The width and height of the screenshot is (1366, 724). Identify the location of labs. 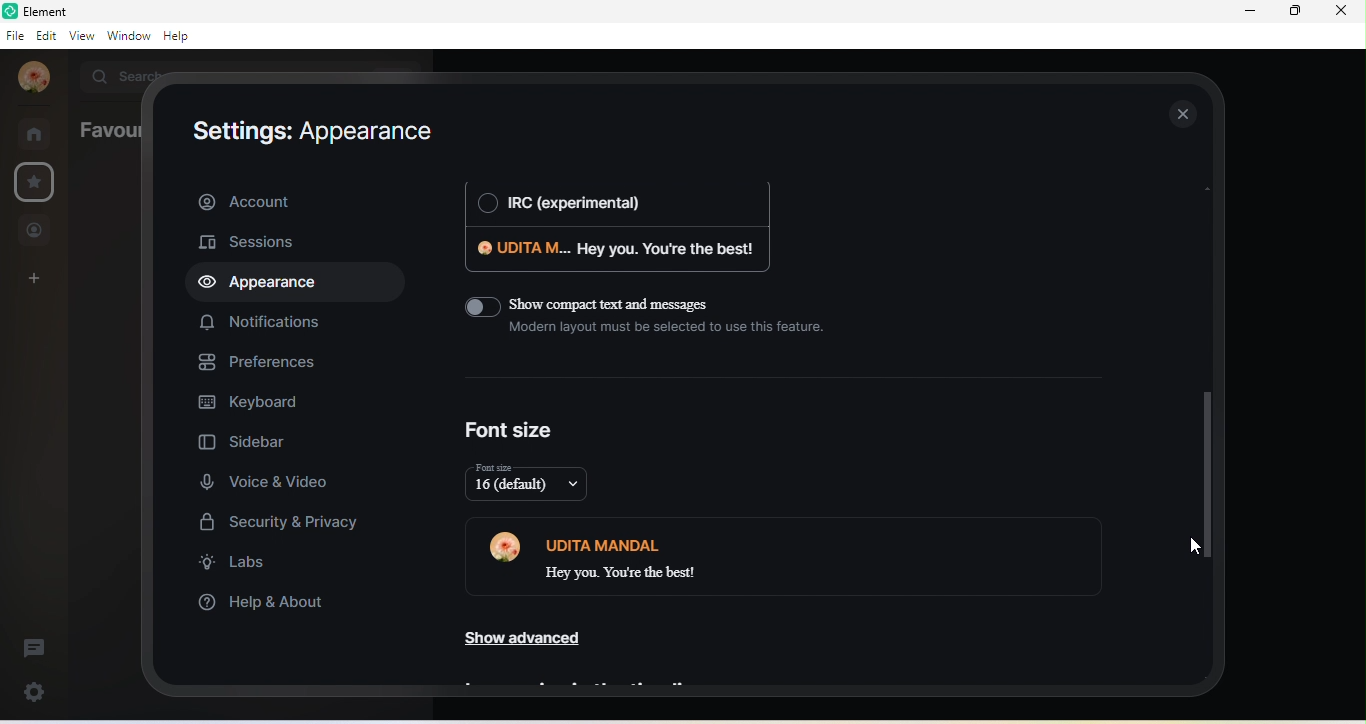
(238, 566).